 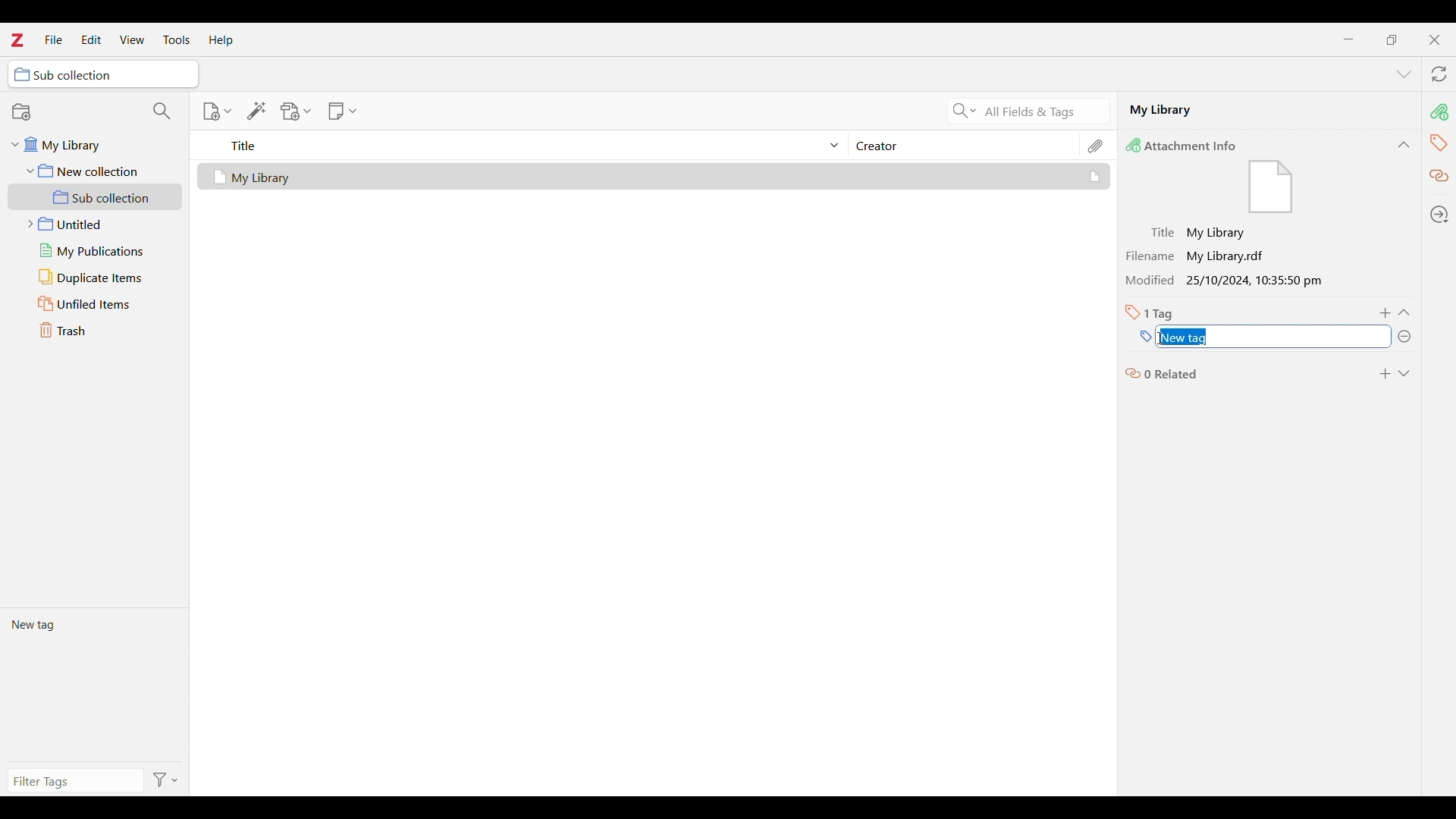 What do you see at coordinates (1163, 372) in the screenshot?
I see `0 related` at bounding box center [1163, 372].